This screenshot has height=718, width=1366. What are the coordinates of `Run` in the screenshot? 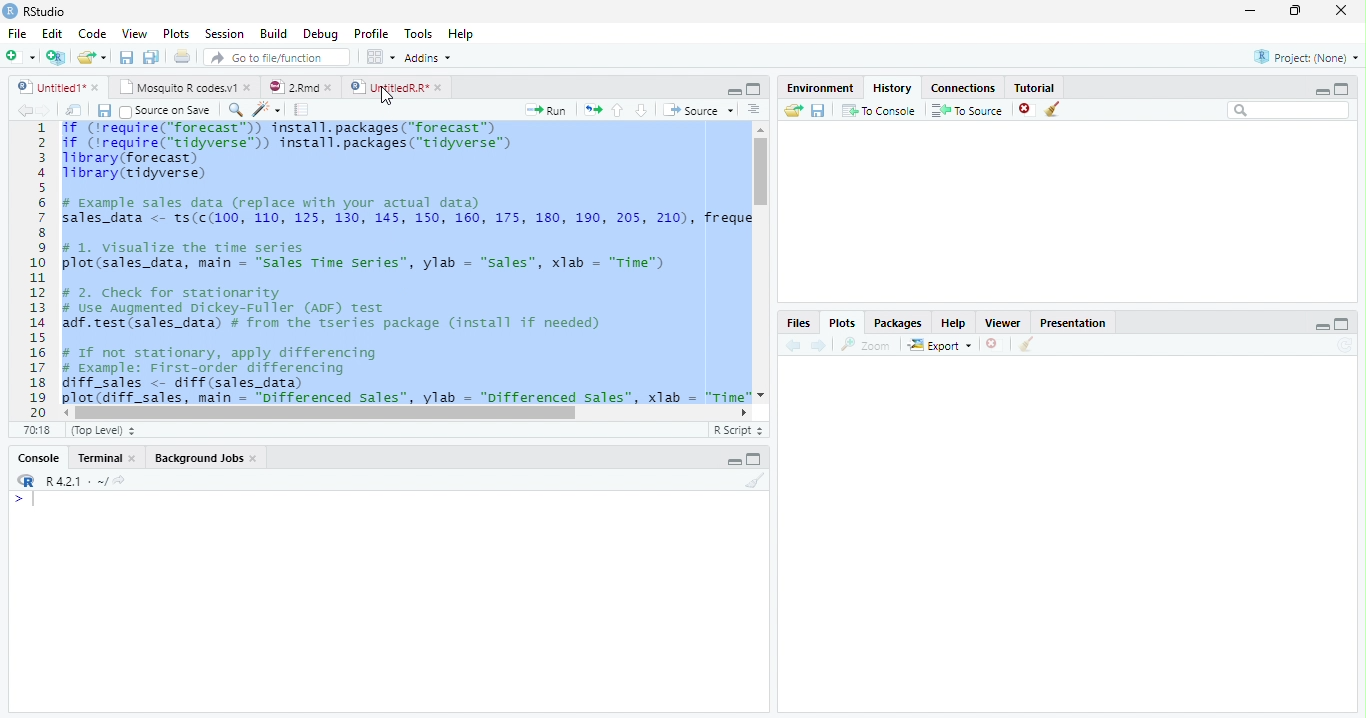 It's located at (542, 111).